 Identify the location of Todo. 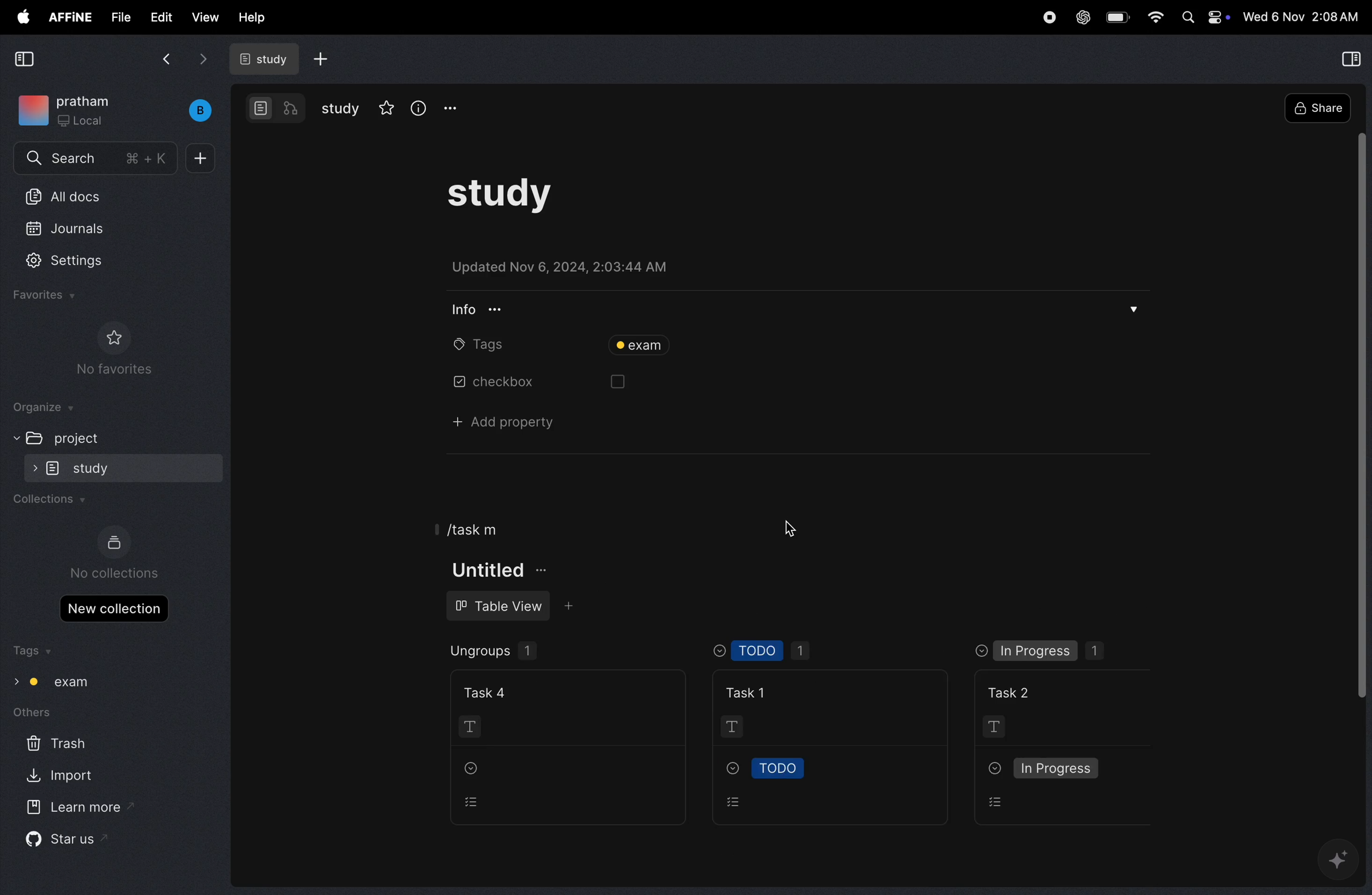
(764, 652).